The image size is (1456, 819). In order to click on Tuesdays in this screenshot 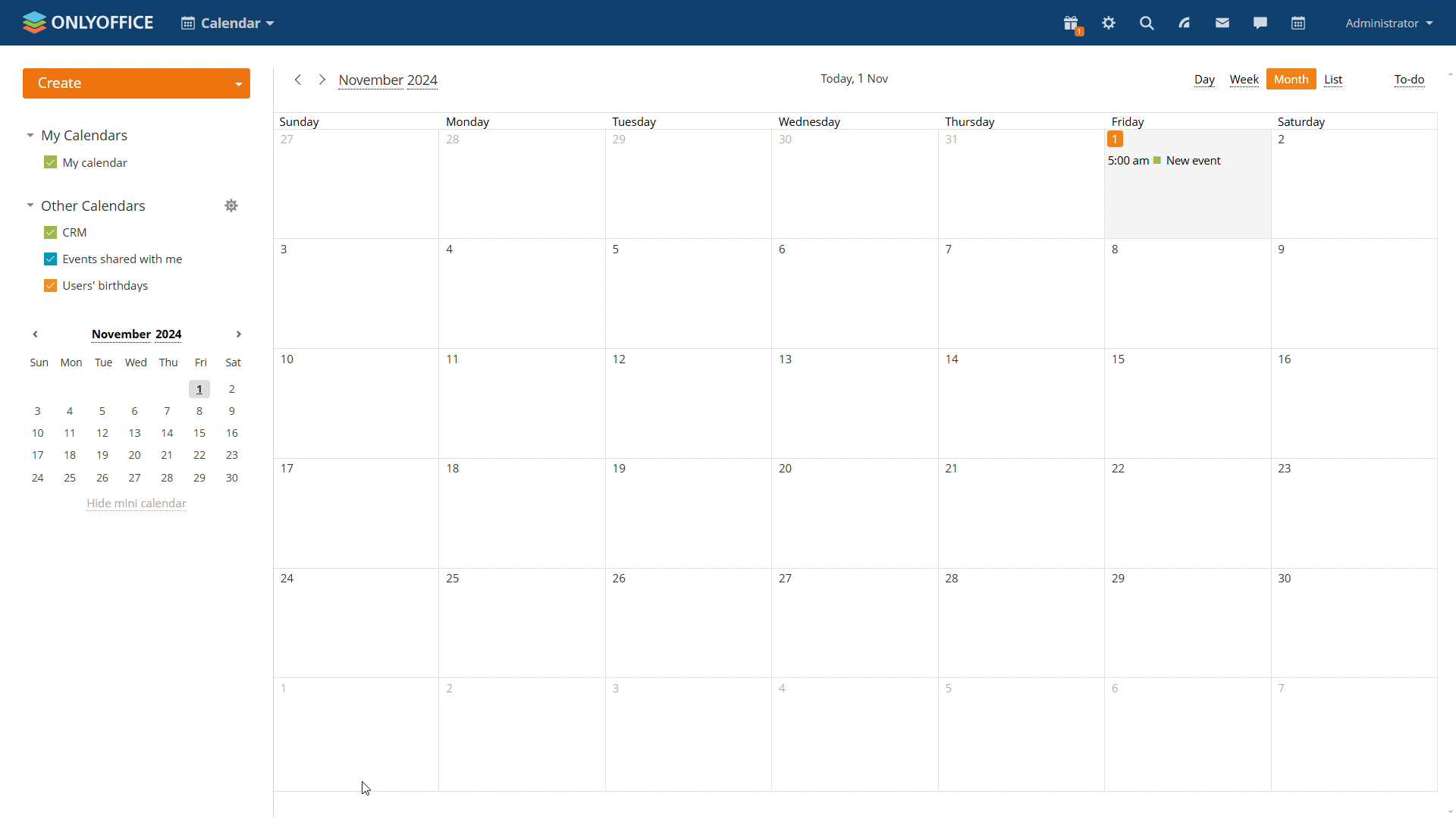, I will do `click(686, 453)`.